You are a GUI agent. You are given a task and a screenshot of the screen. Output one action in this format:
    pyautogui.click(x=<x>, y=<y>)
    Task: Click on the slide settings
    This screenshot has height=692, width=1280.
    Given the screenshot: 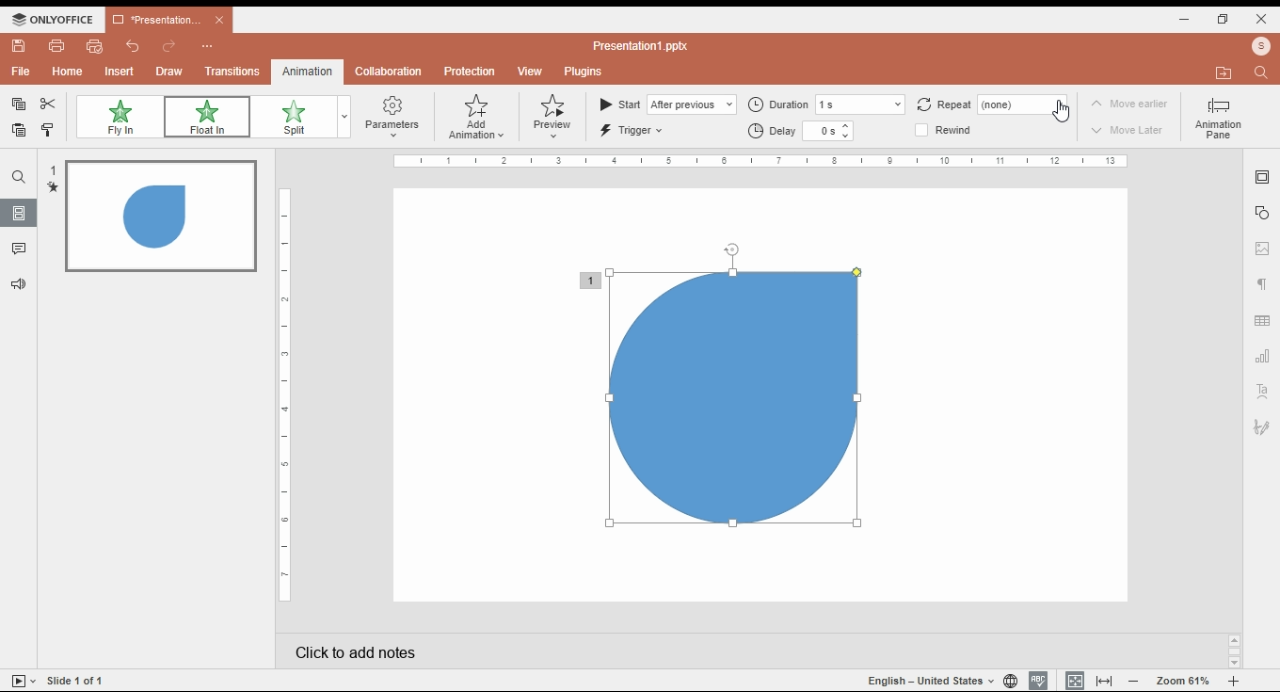 What is the action you would take?
    pyautogui.click(x=1261, y=179)
    